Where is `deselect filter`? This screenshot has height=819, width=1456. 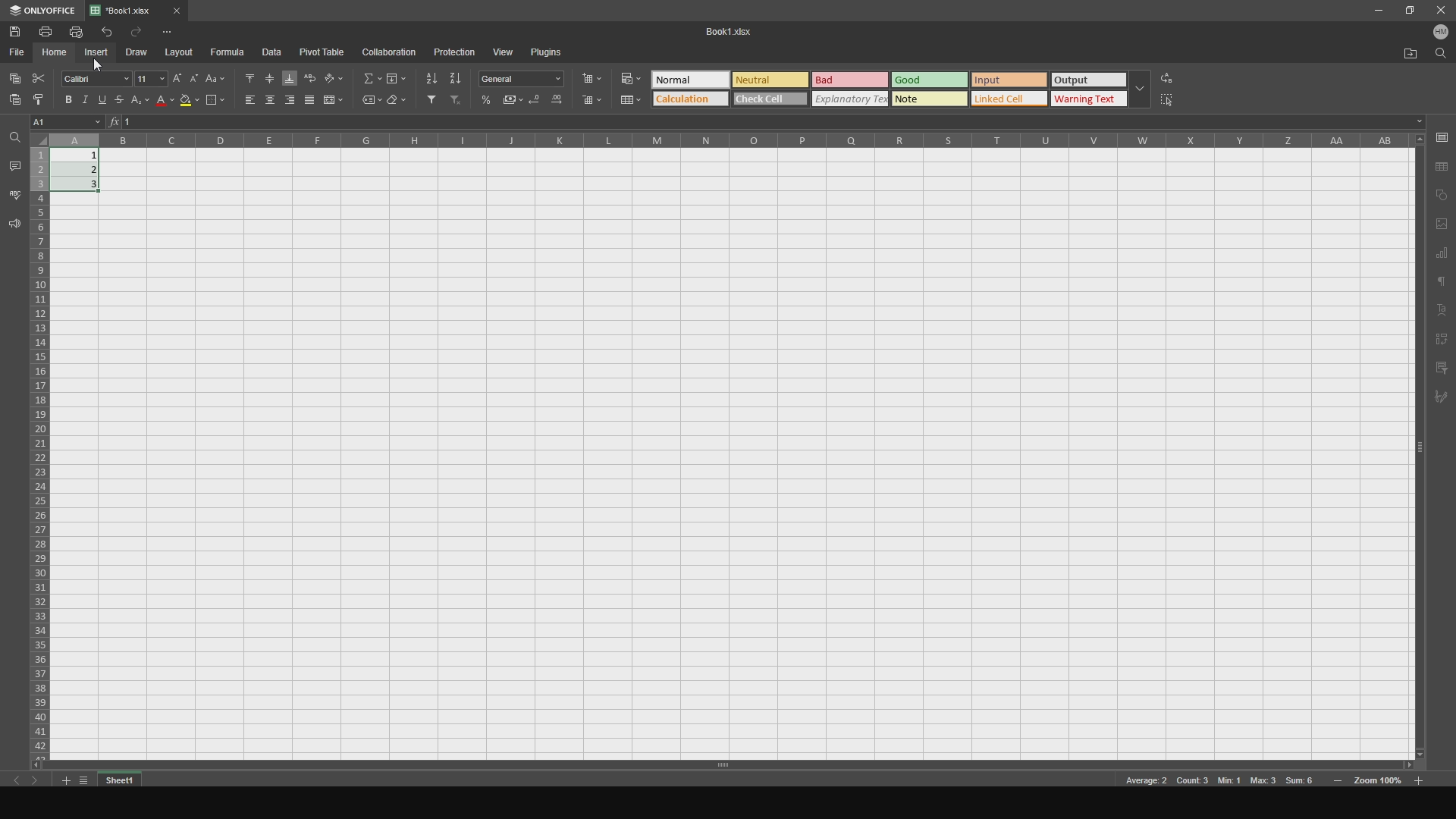 deselect filter is located at coordinates (457, 102).